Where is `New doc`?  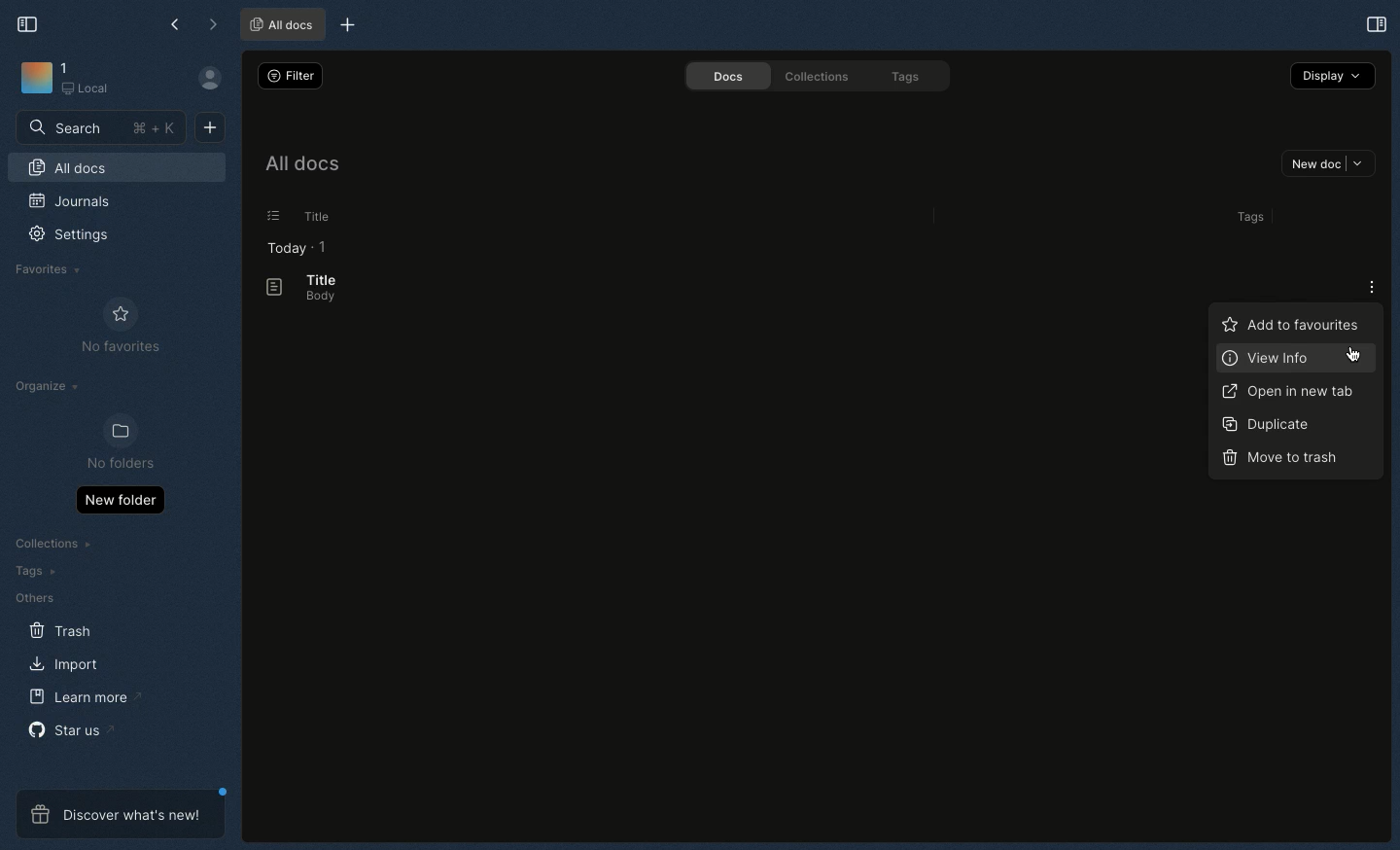 New doc is located at coordinates (210, 125).